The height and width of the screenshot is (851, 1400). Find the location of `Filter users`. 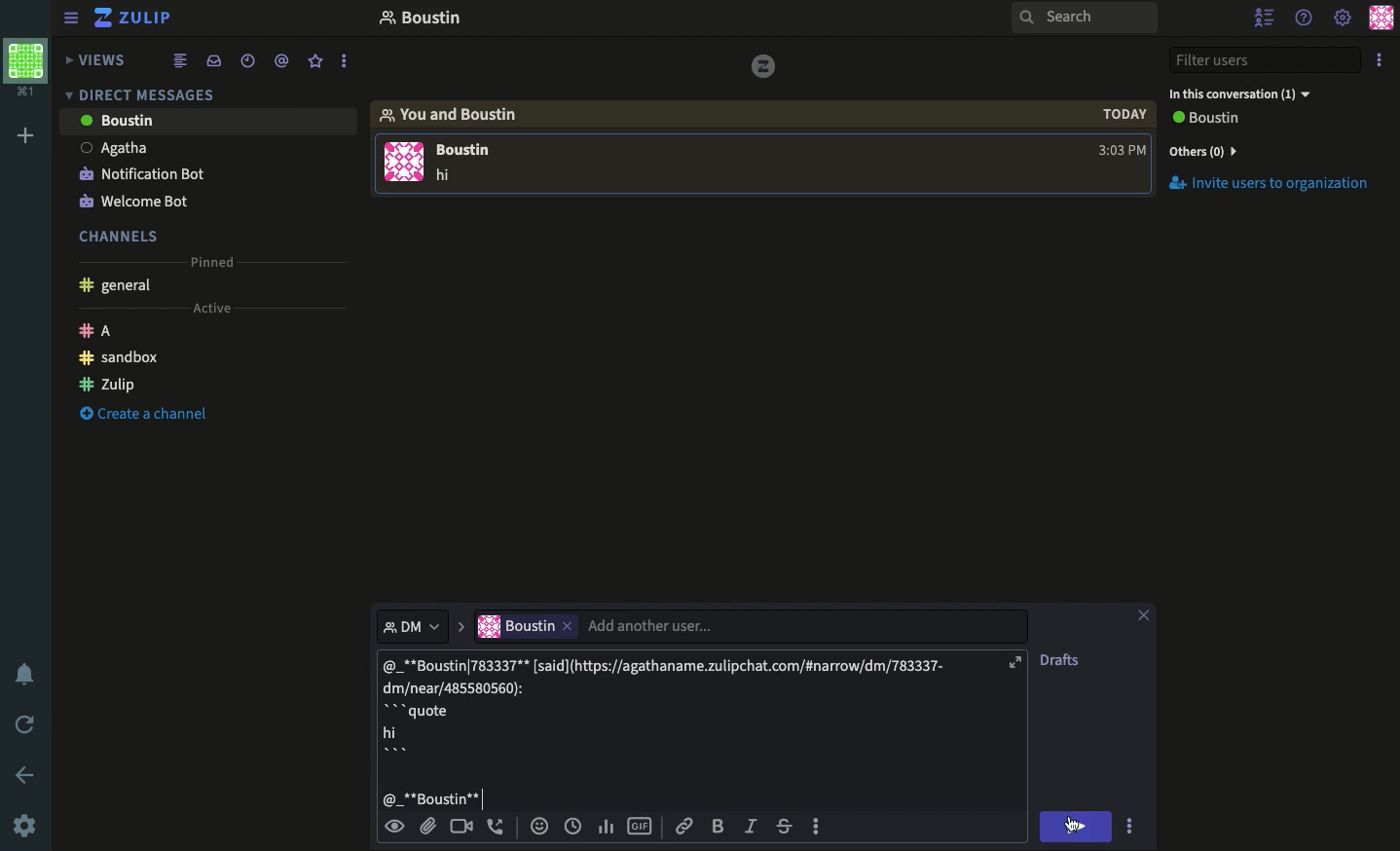

Filter users is located at coordinates (1268, 61).